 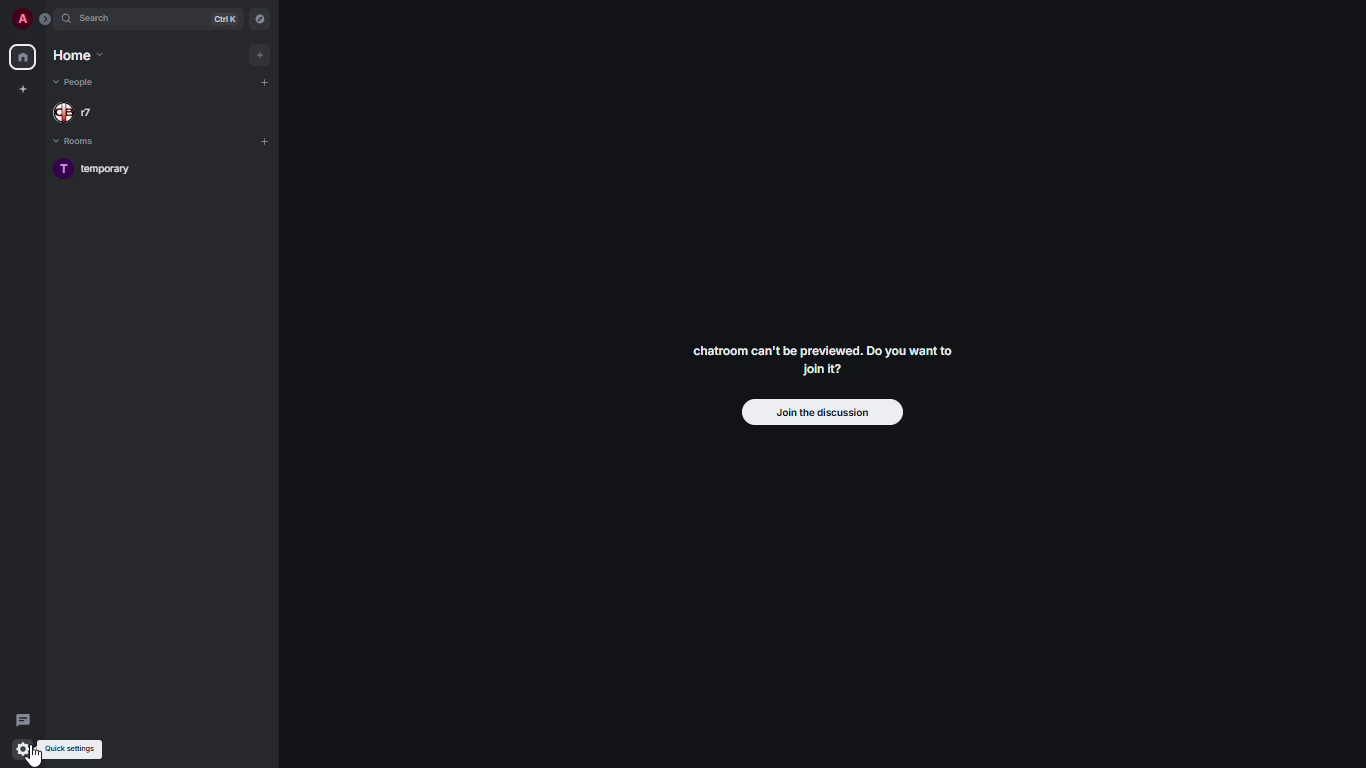 I want to click on people, so click(x=77, y=83).